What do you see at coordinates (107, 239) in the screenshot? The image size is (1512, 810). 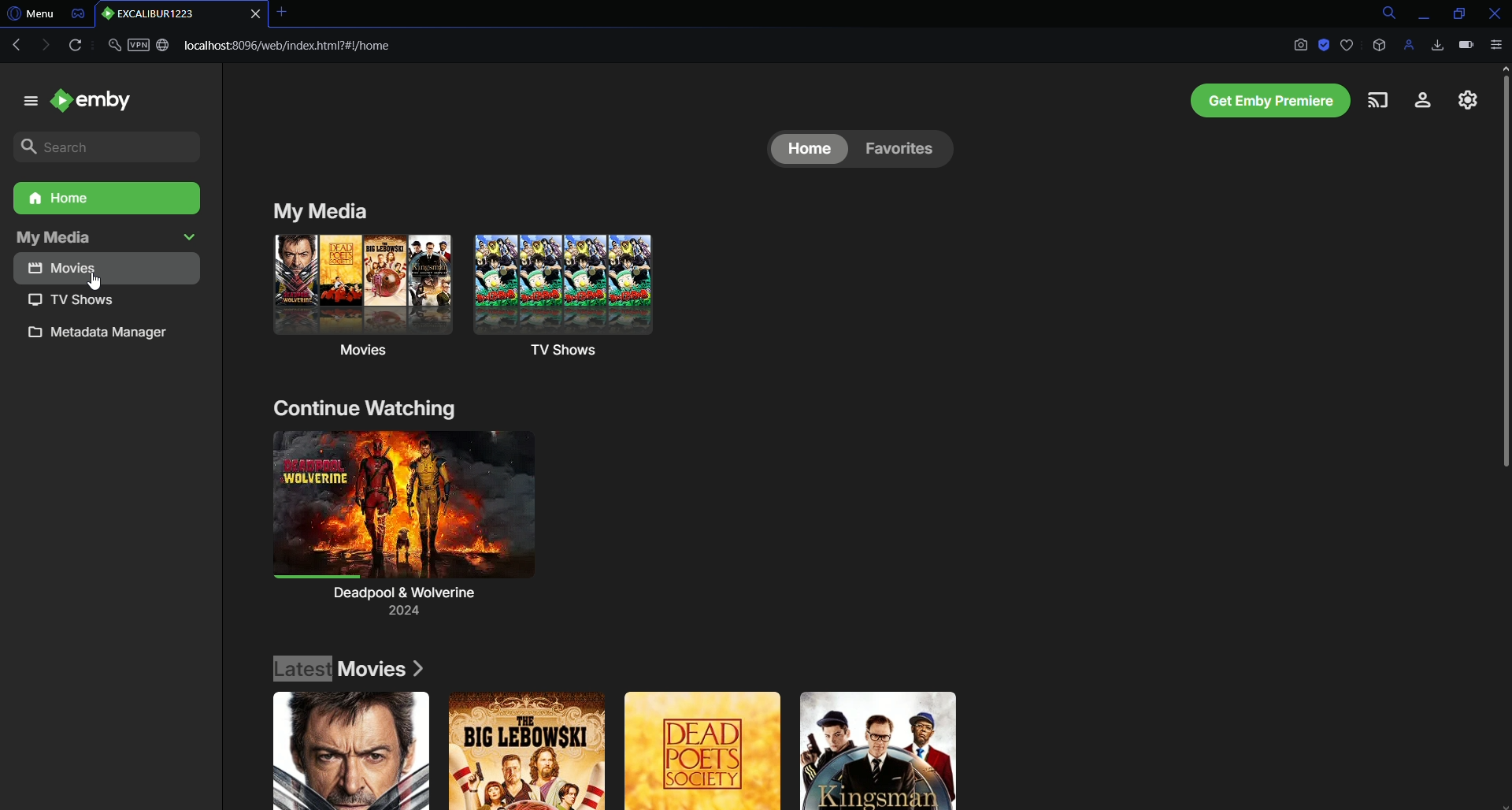 I see `My media` at bounding box center [107, 239].